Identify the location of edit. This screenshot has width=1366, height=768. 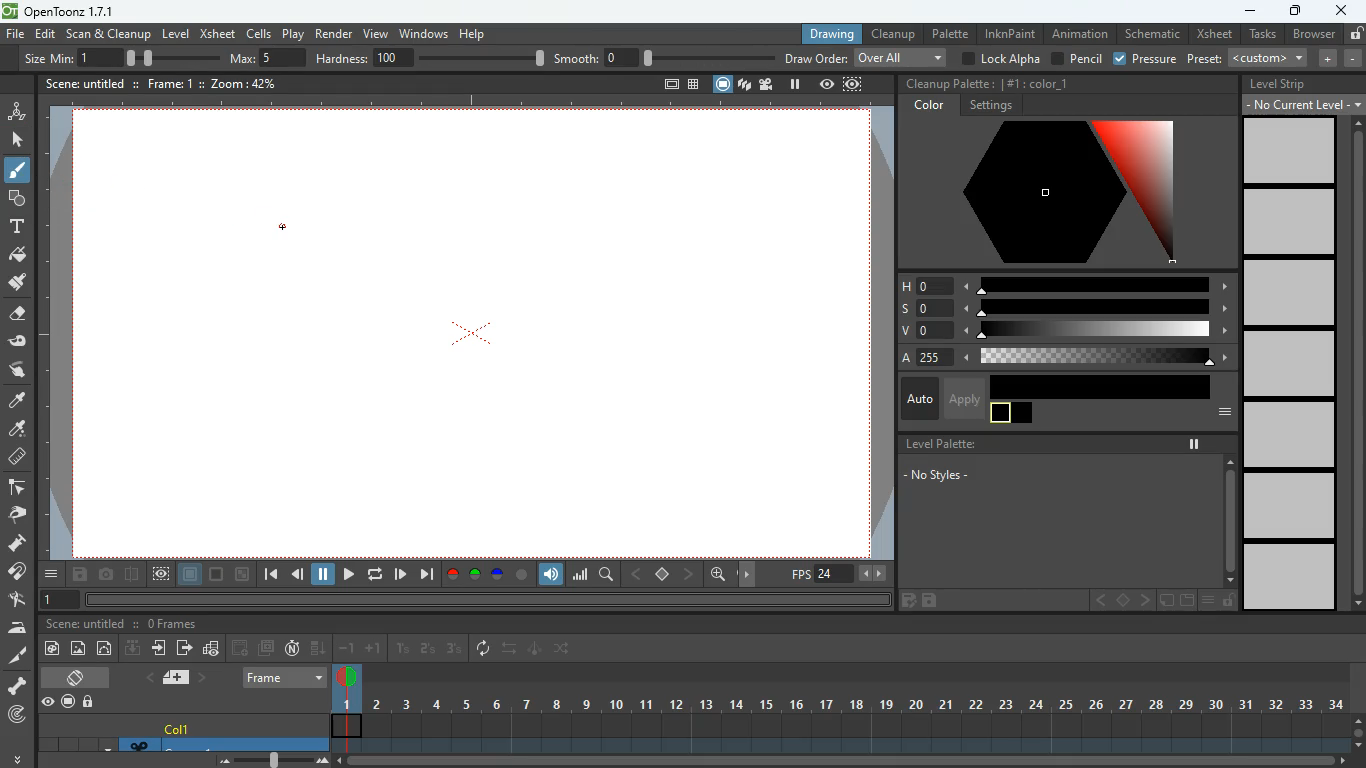
(17, 600).